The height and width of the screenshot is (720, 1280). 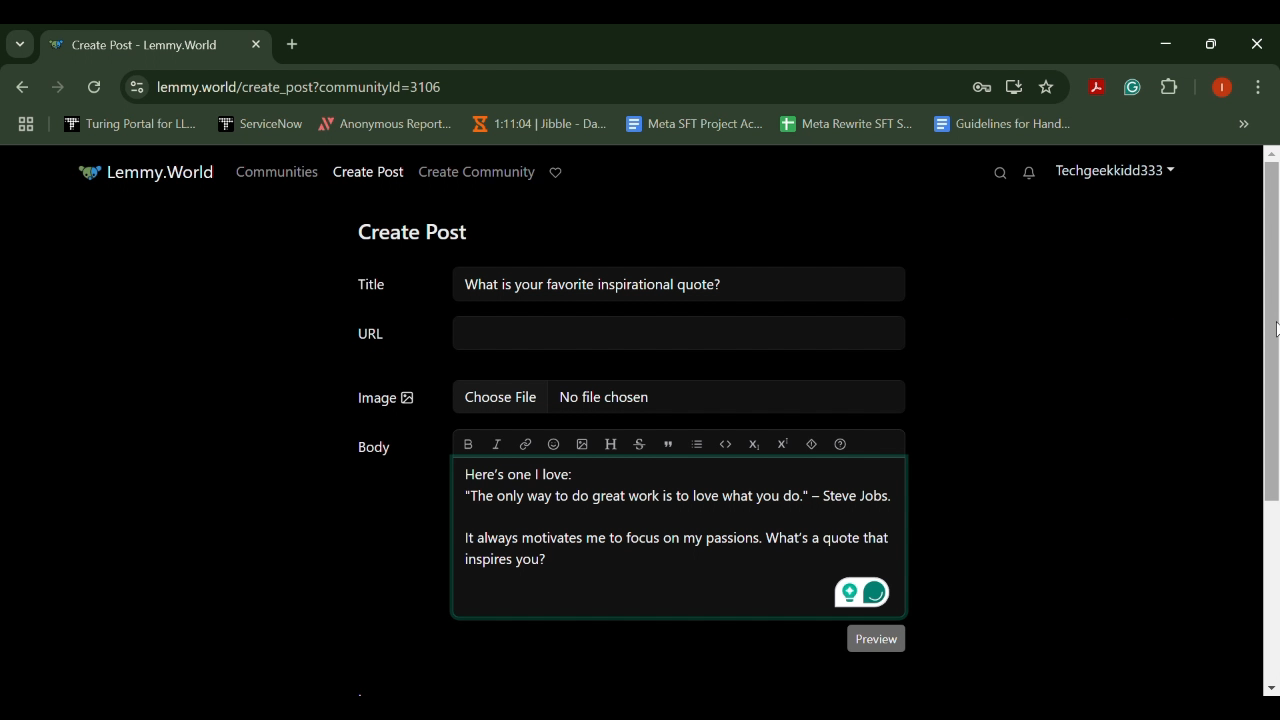 I want to click on Communities, so click(x=277, y=171).